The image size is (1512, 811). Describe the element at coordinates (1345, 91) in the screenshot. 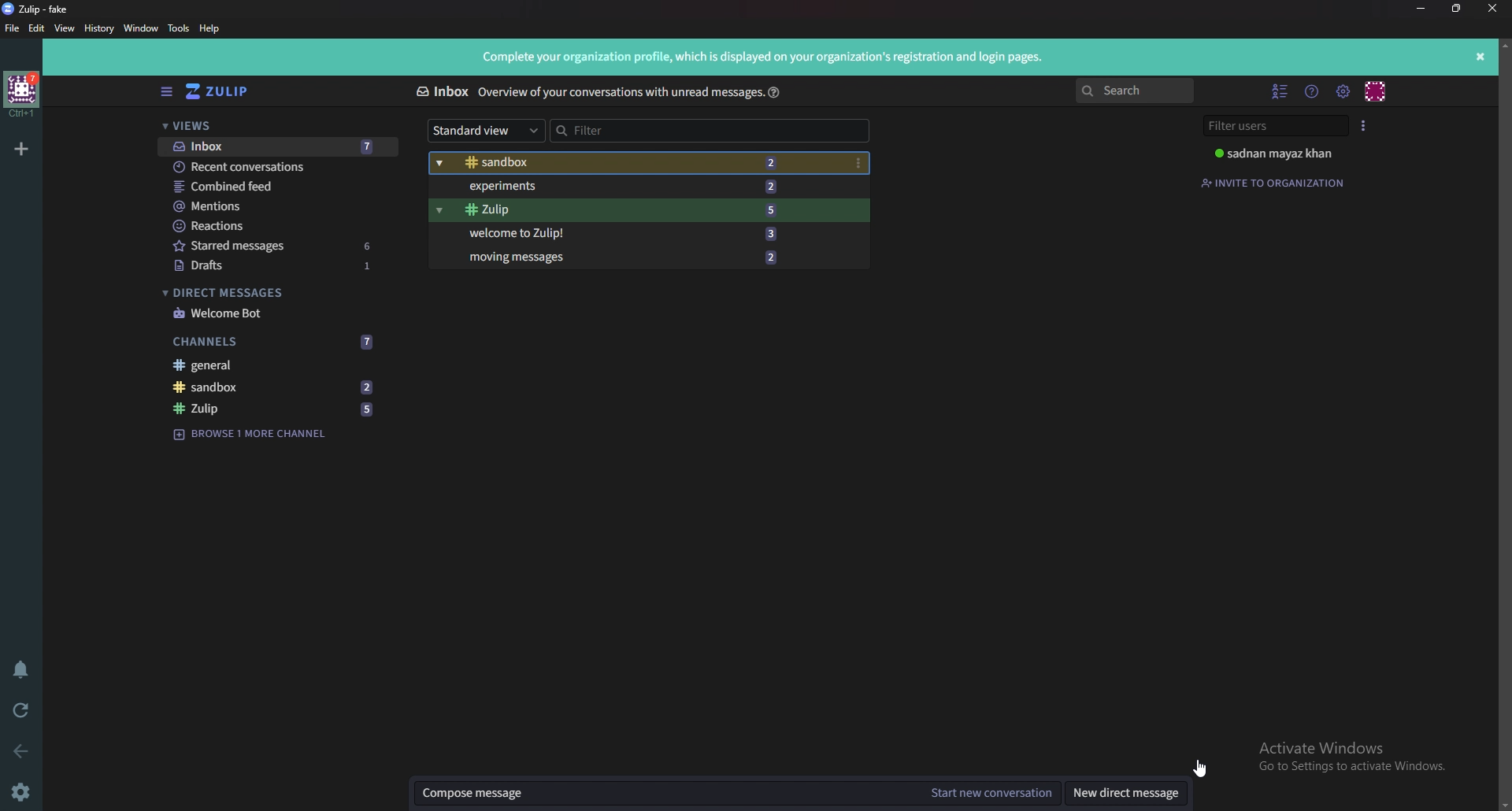

I see `Main menu` at that location.